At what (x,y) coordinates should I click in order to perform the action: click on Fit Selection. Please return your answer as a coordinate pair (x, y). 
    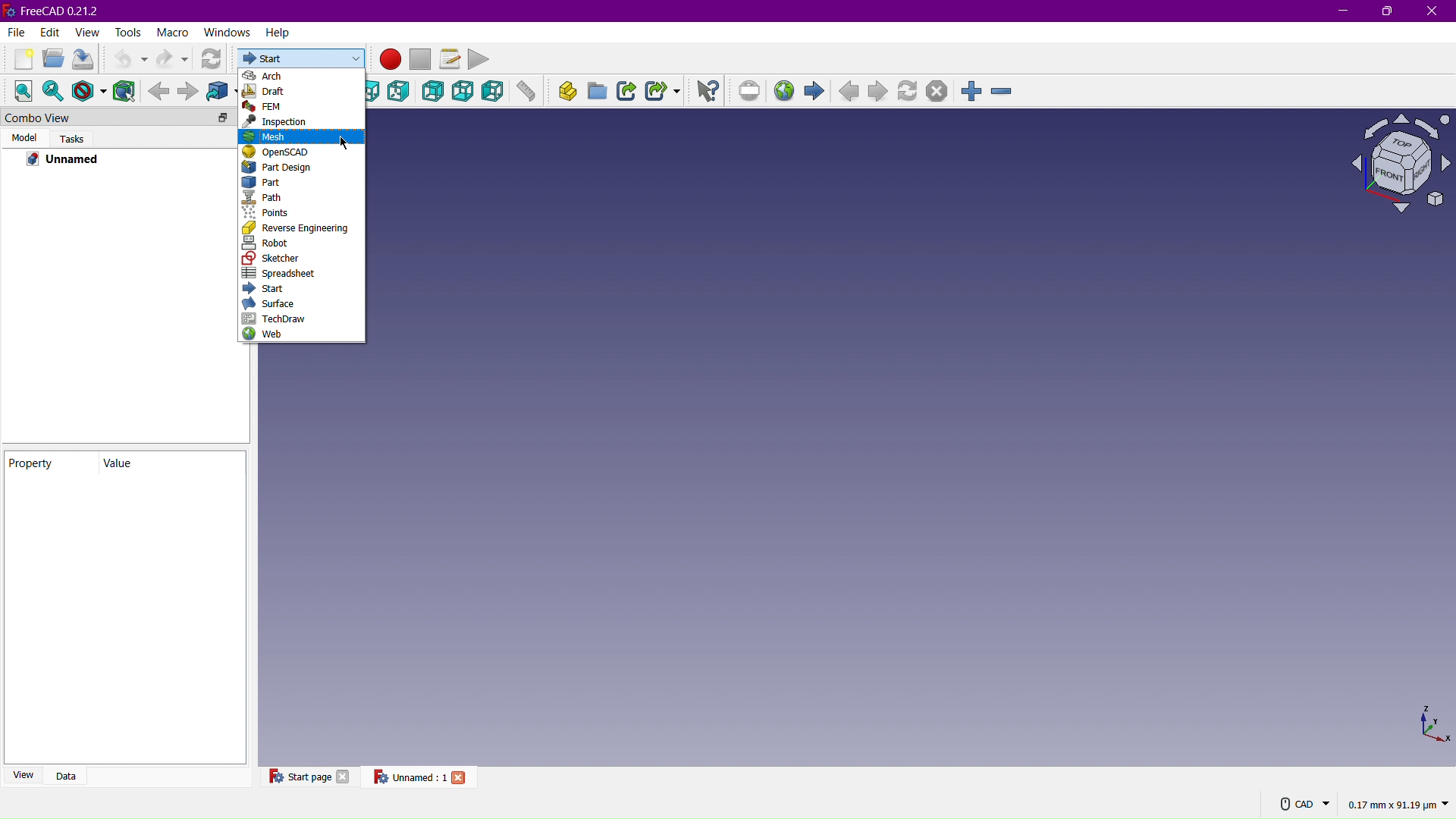
    Looking at the image, I should click on (54, 91).